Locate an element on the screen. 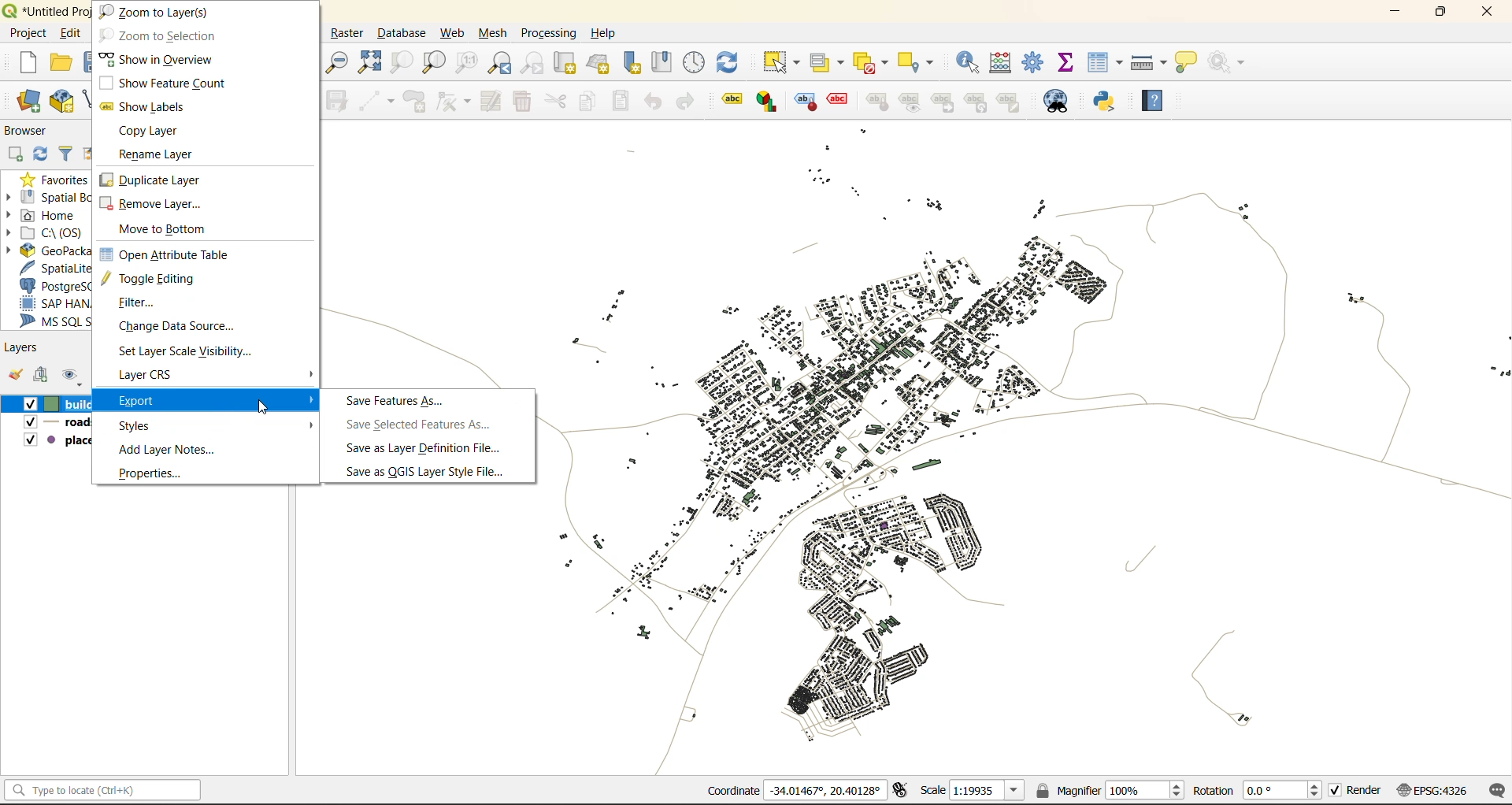 The height and width of the screenshot is (805, 1512). map is located at coordinates (1019, 449).